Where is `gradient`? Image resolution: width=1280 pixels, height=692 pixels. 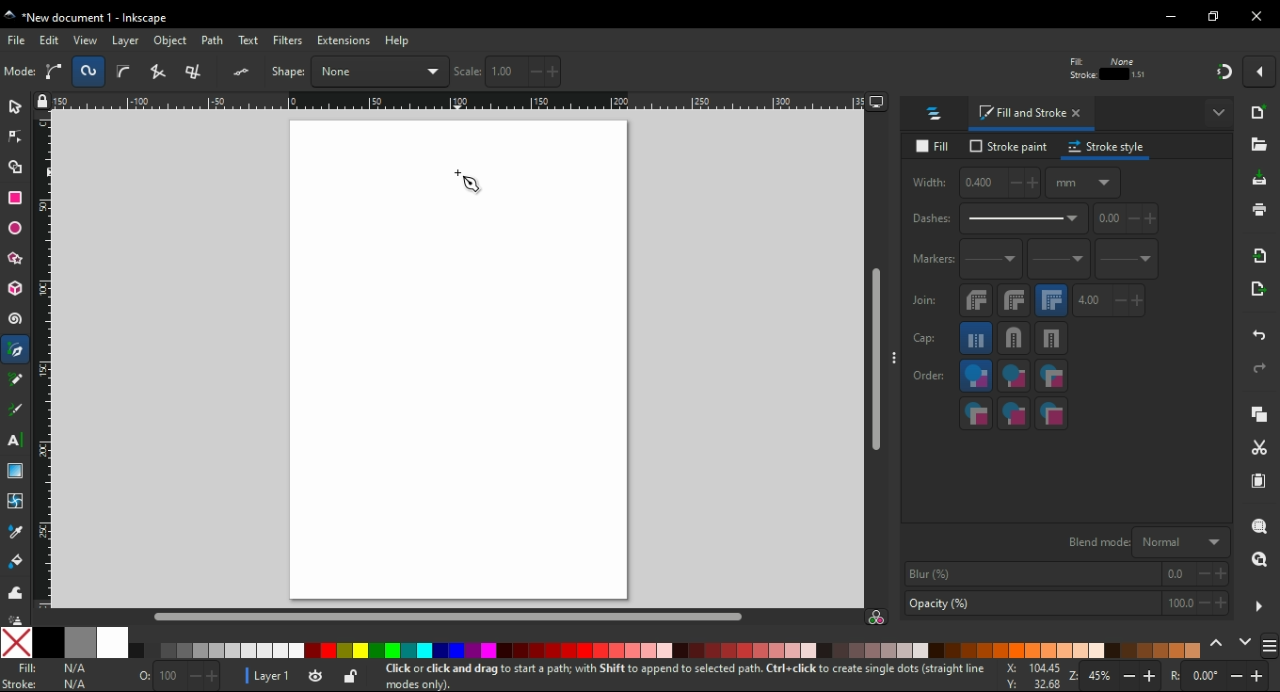
gradient is located at coordinates (15, 471).